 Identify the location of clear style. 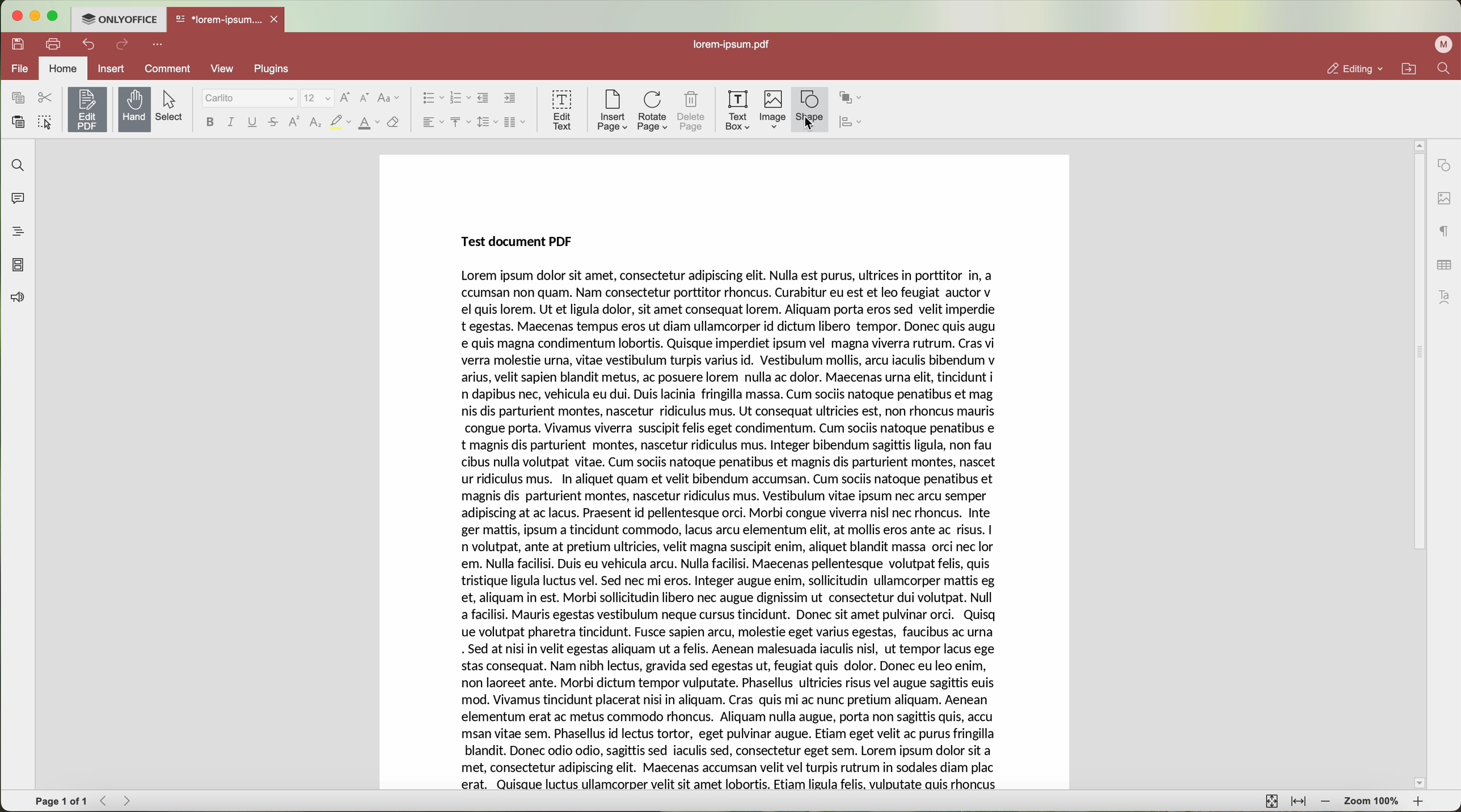
(392, 122).